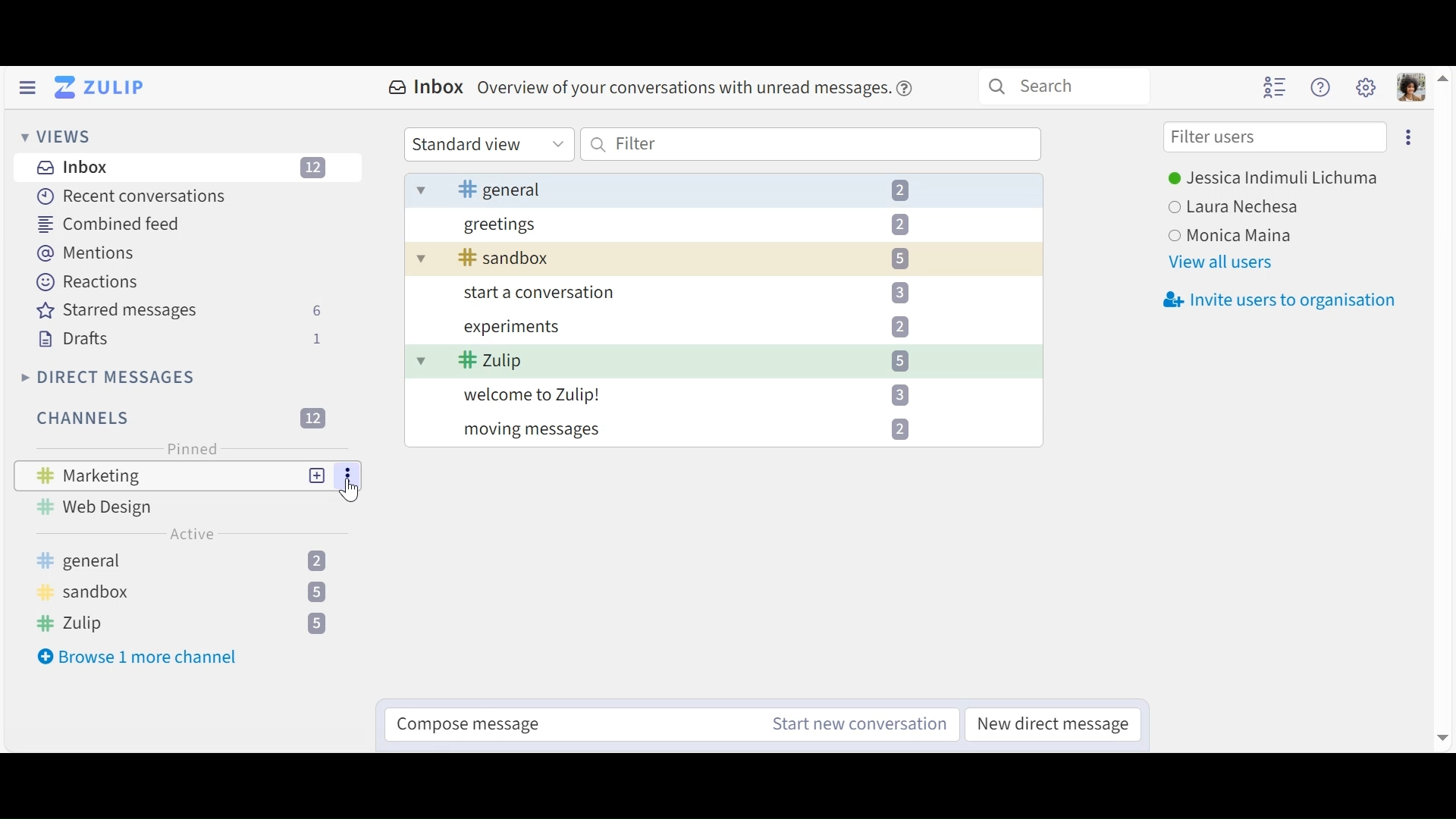 This screenshot has width=1456, height=819. What do you see at coordinates (134, 198) in the screenshot?
I see `Recent Conversation` at bounding box center [134, 198].